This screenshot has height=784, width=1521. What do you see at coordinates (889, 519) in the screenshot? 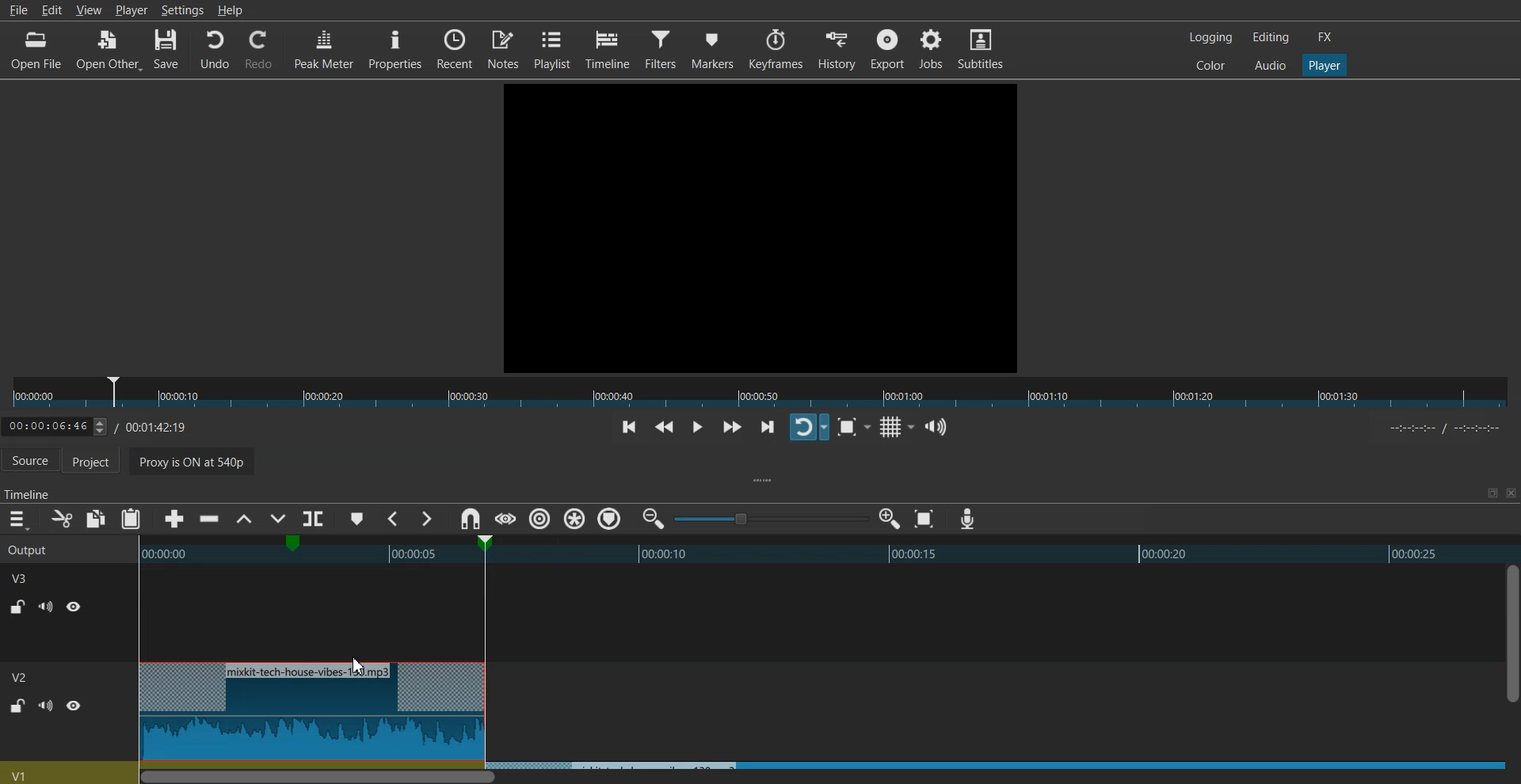
I see `Zoom timeline in` at bounding box center [889, 519].